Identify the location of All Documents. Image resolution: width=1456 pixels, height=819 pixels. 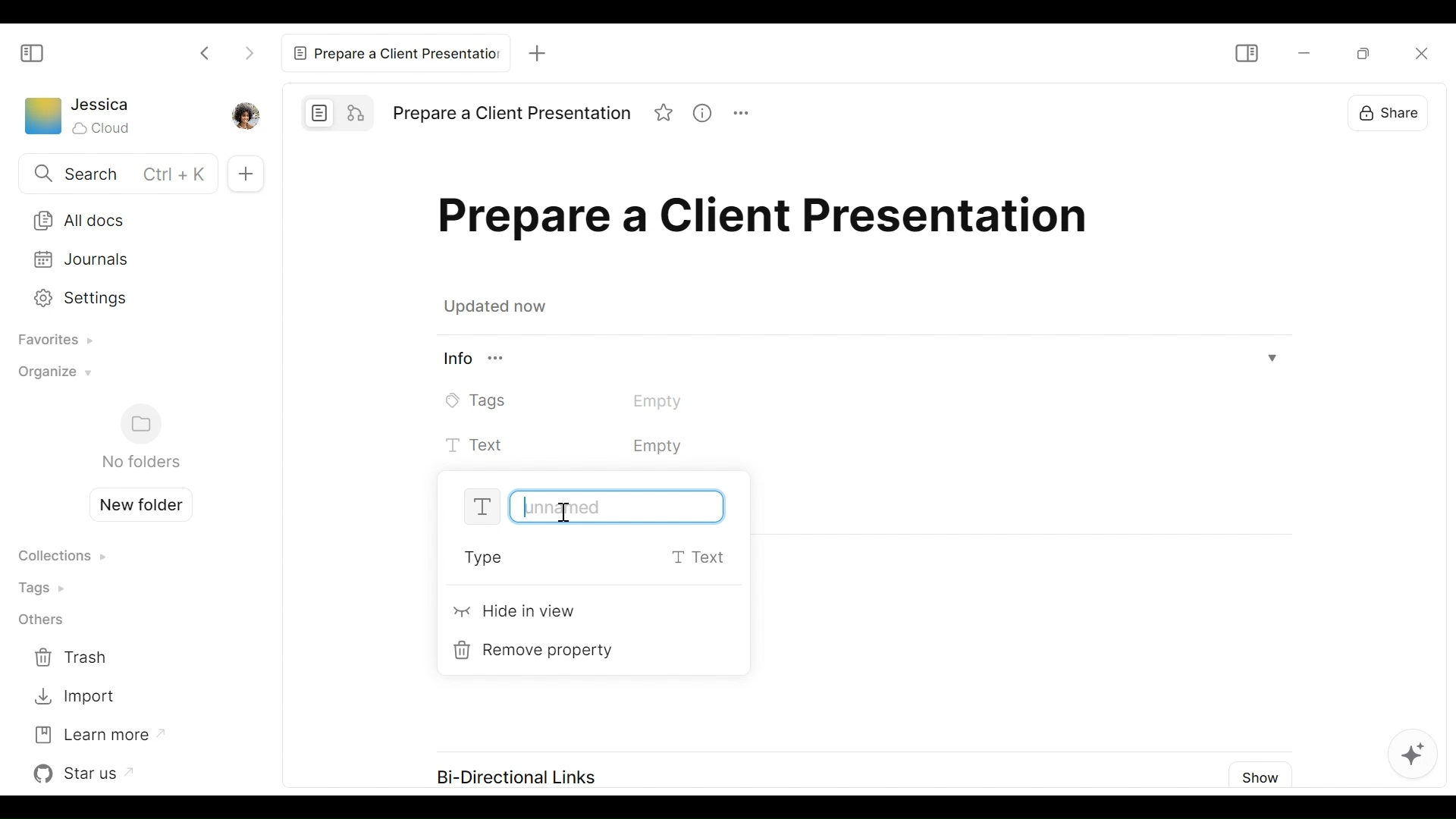
(130, 219).